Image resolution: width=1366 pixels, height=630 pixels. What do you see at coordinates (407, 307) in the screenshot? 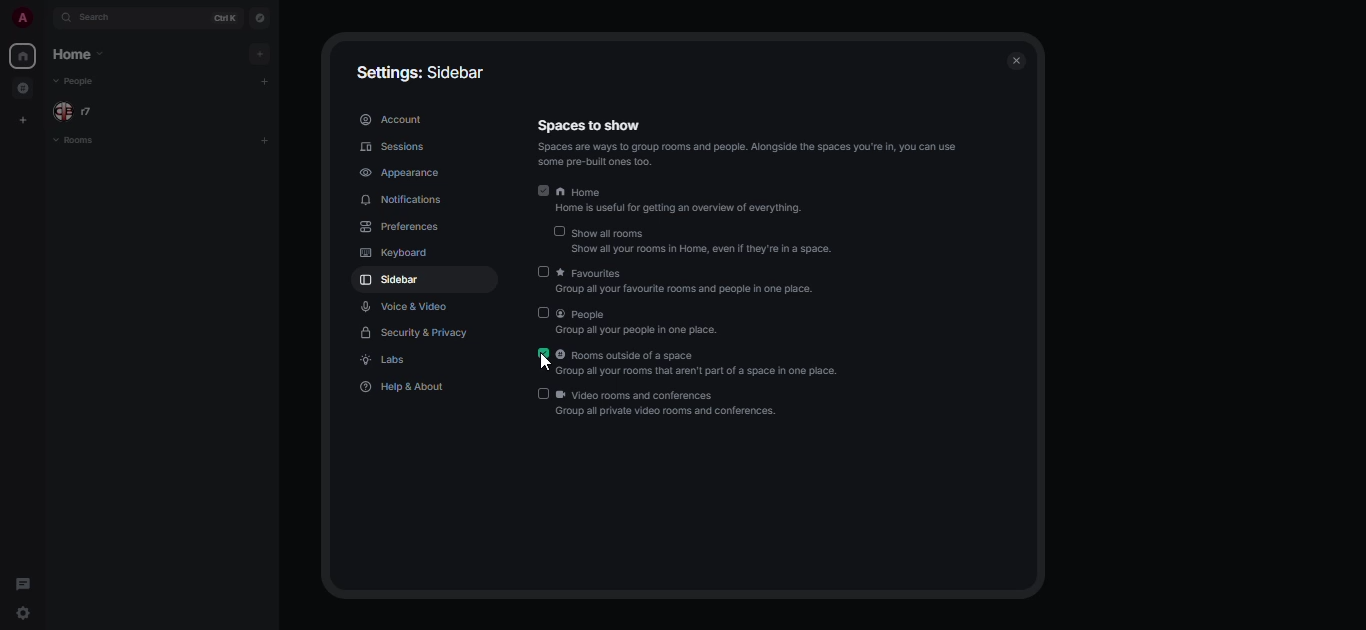
I see `voice & video` at bounding box center [407, 307].